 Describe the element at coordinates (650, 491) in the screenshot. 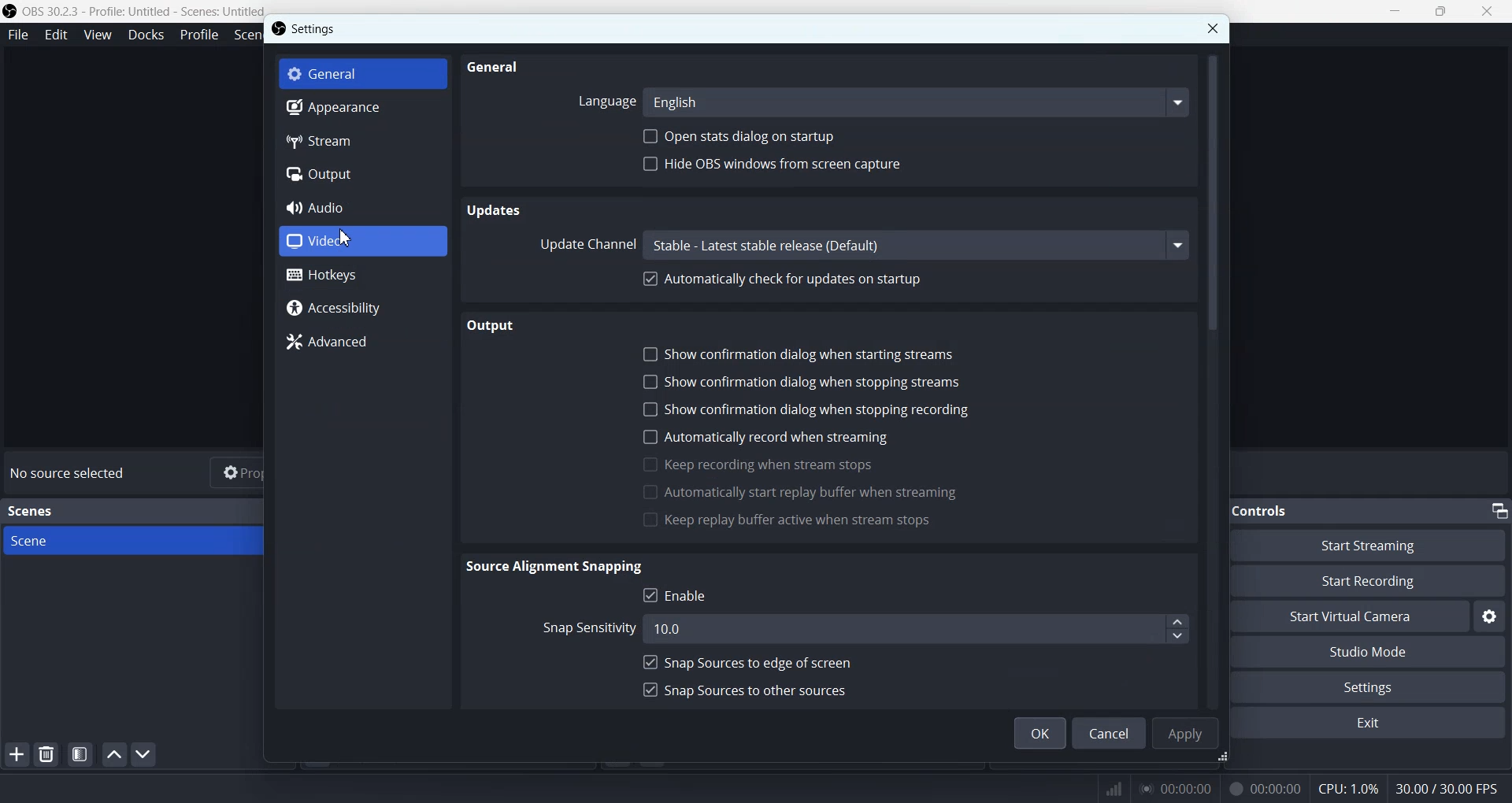

I see `checkbox` at that location.